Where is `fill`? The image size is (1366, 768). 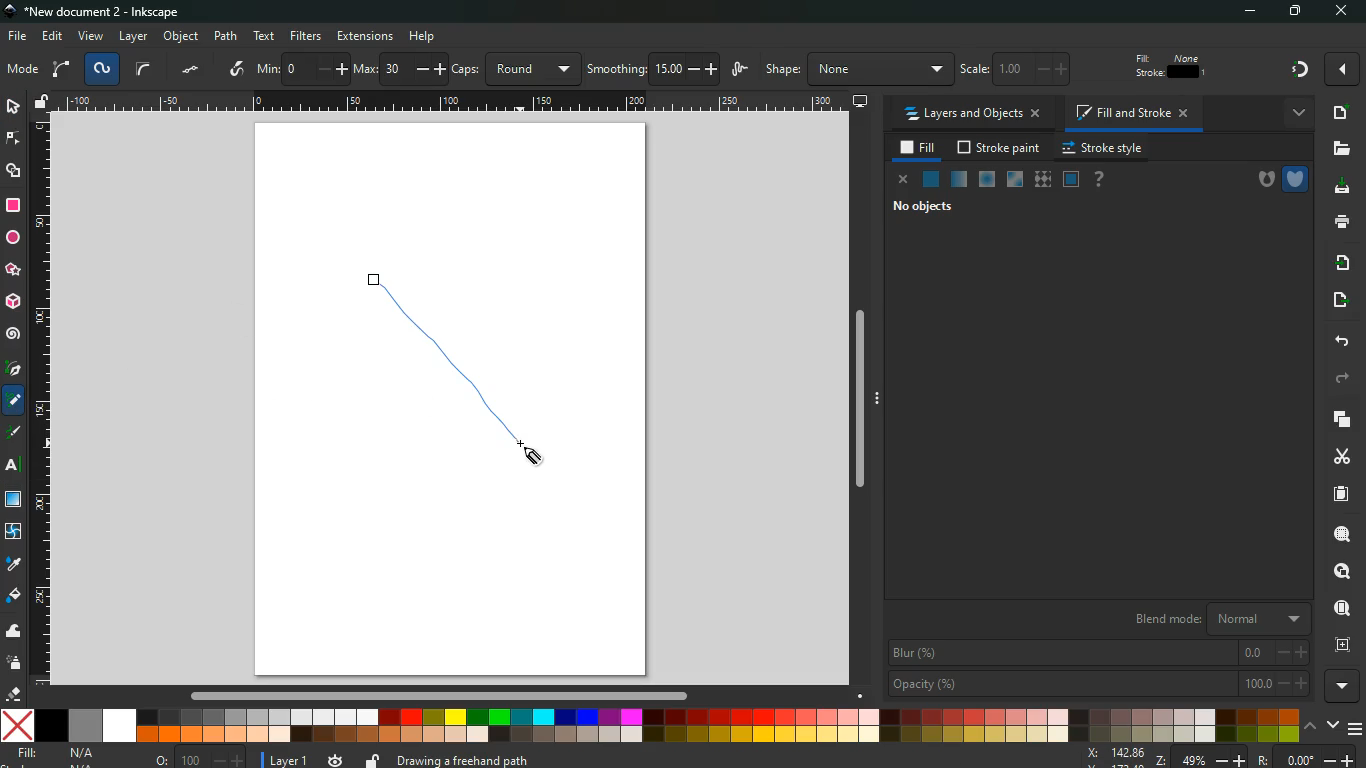 fill is located at coordinates (58, 754).